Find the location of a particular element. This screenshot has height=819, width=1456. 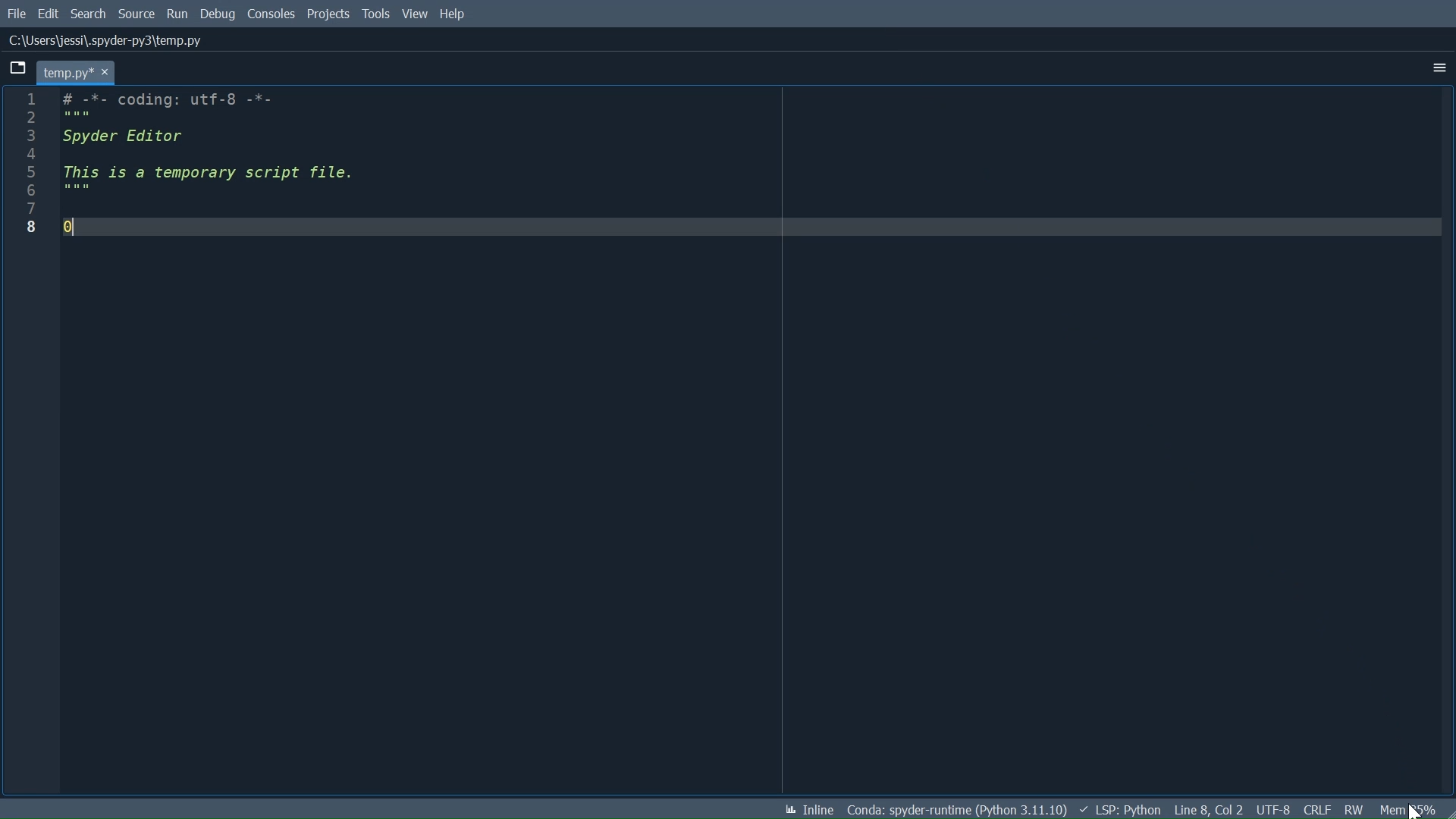

1 2 3 4 5 6 7 8  is located at coordinates (33, 168).